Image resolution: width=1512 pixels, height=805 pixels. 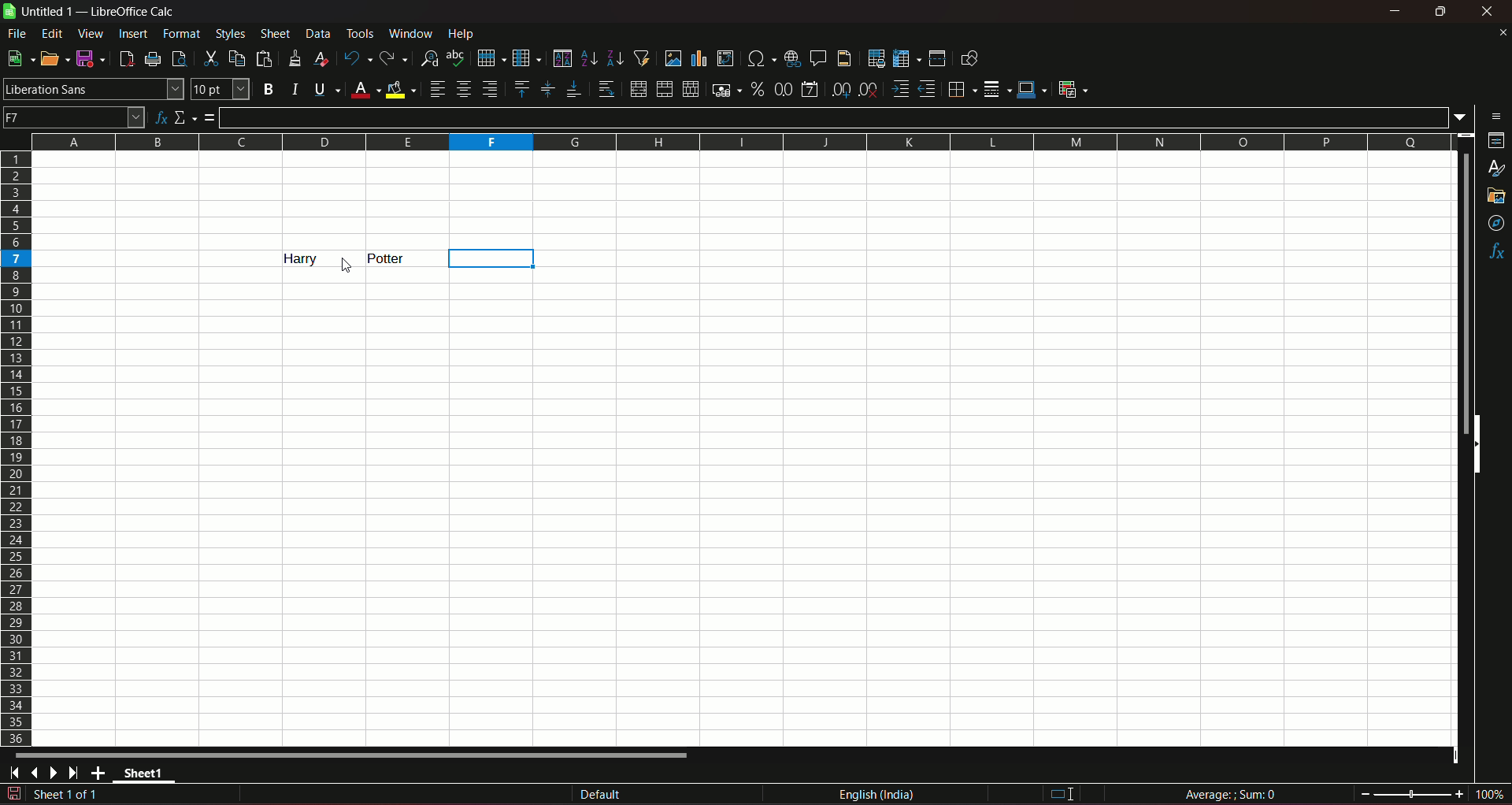 I want to click on italic, so click(x=295, y=88).